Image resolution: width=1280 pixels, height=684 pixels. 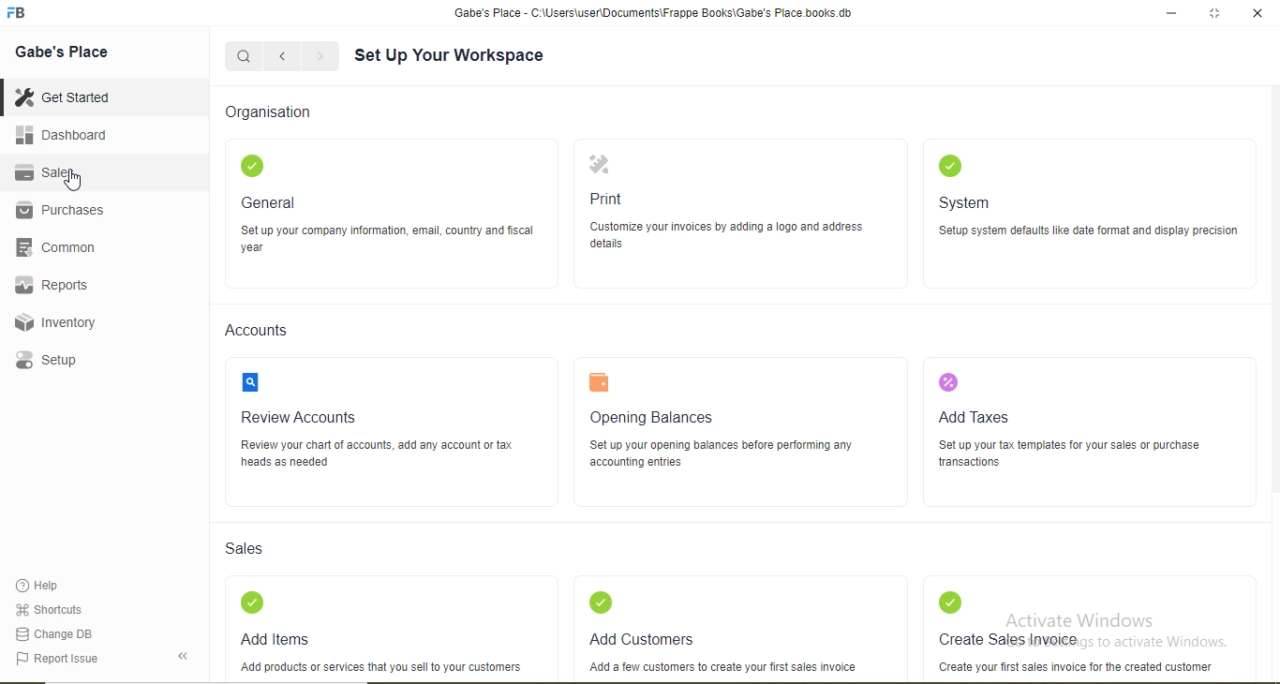 What do you see at coordinates (272, 162) in the screenshot?
I see `tick` at bounding box center [272, 162].